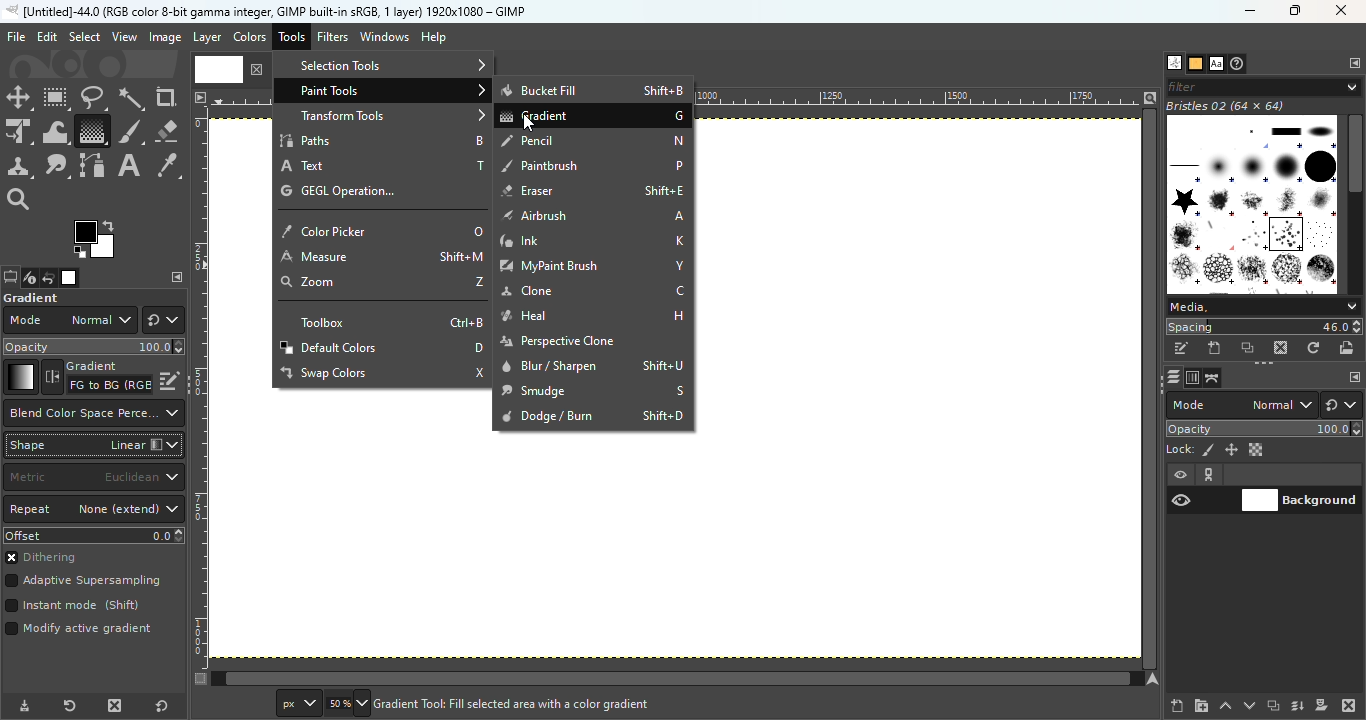 This screenshot has width=1366, height=720. I want to click on Crop tool, so click(166, 97).